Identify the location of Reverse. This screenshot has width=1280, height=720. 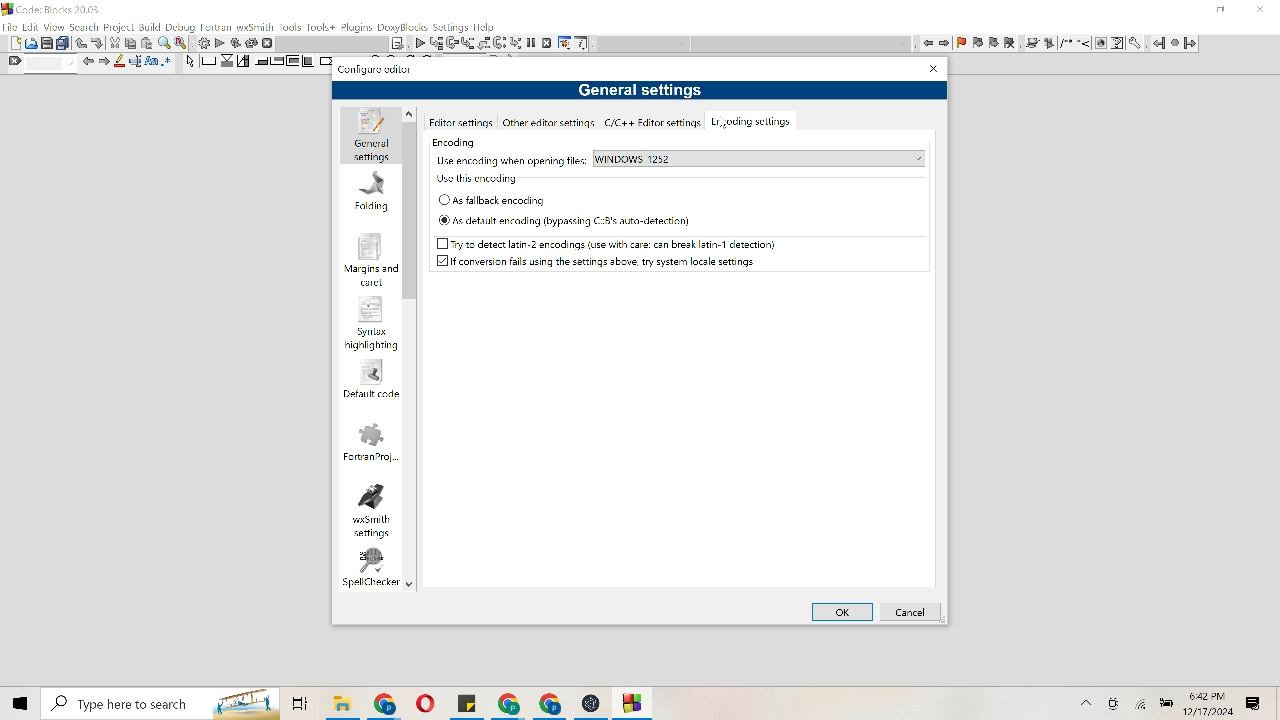
(243, 43).